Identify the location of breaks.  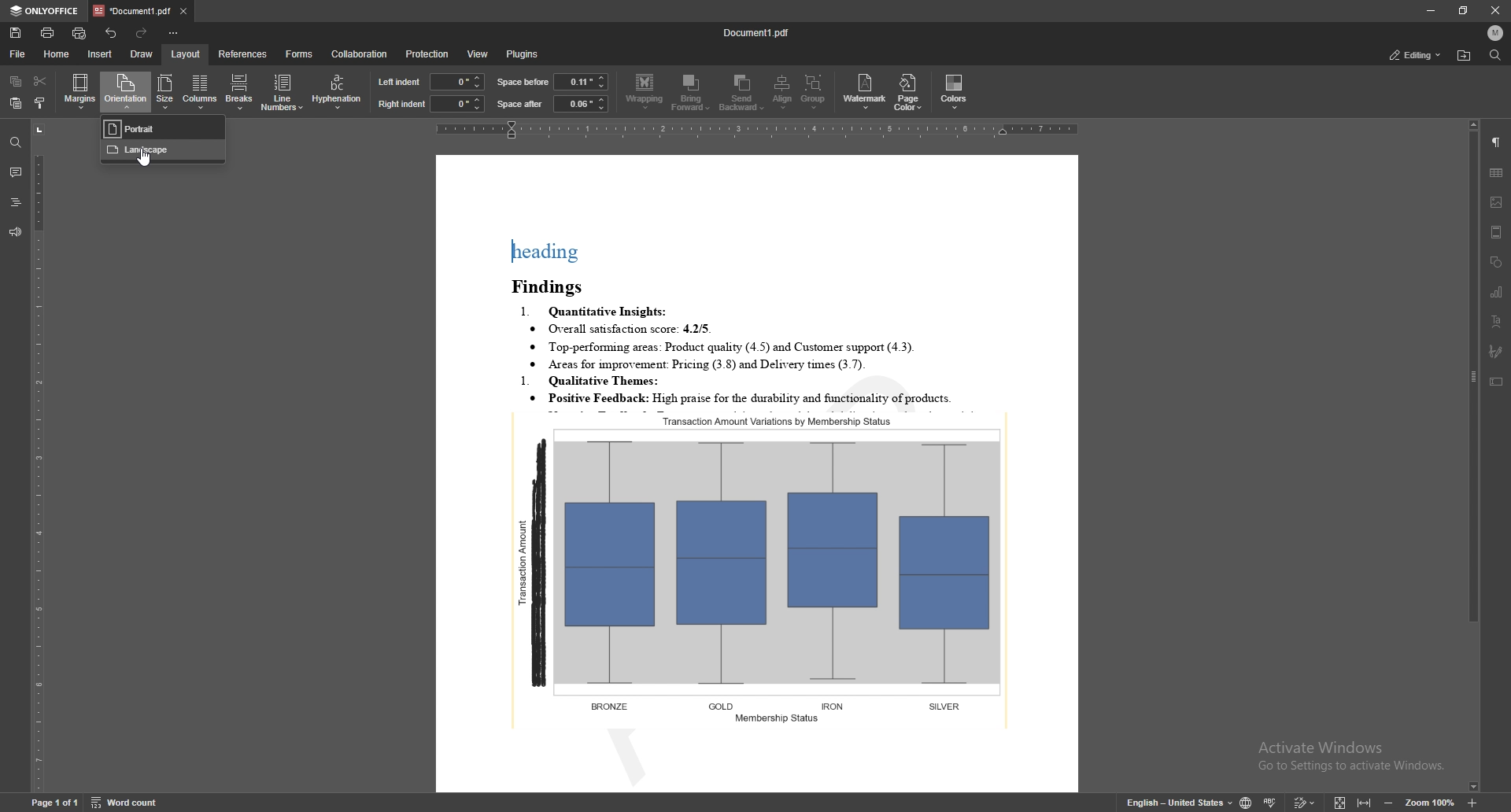
(238, 91).